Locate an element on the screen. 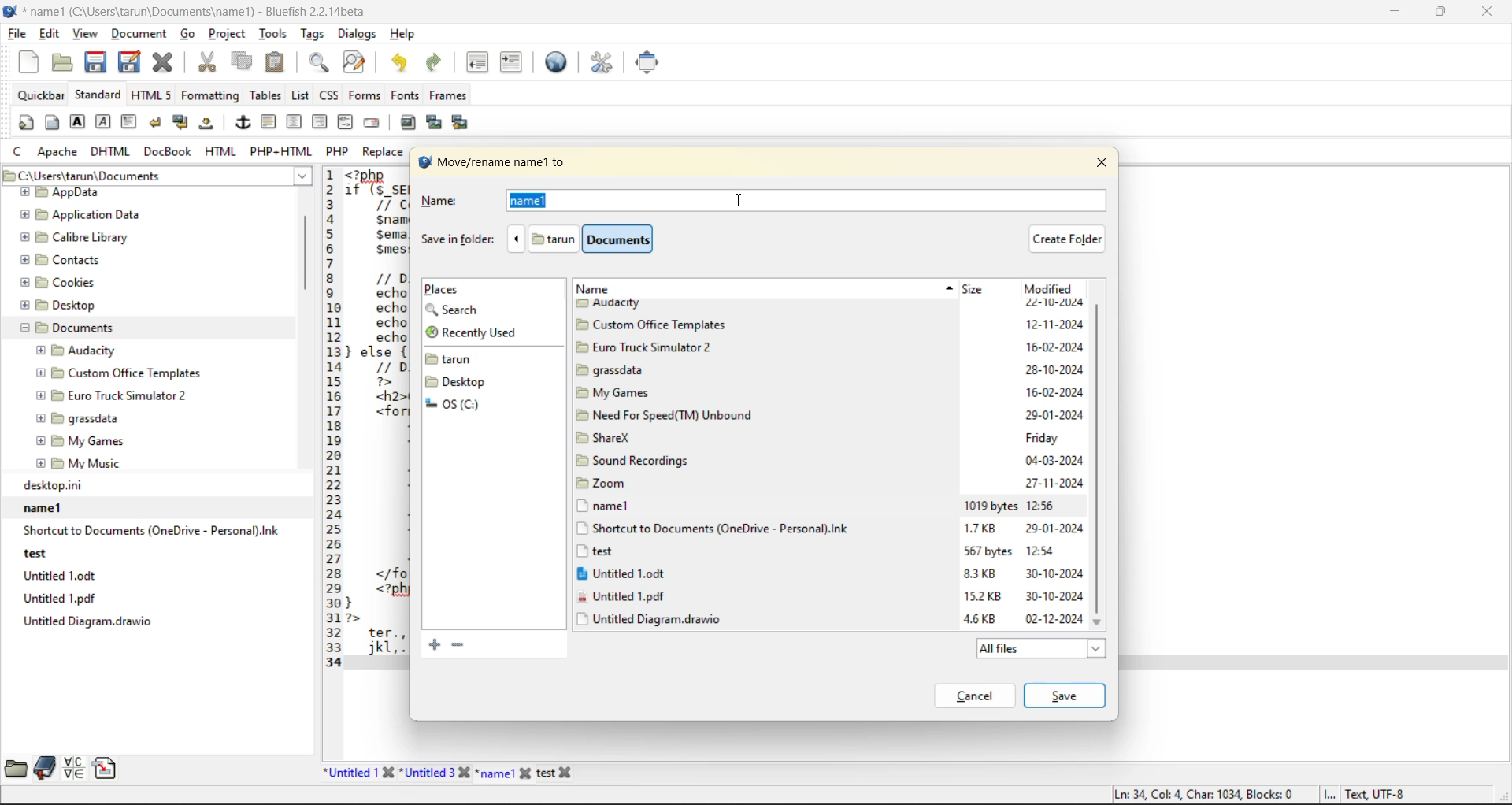 This screenshot has height=805, width=1512. full screen is located at coordinates (651, 64).